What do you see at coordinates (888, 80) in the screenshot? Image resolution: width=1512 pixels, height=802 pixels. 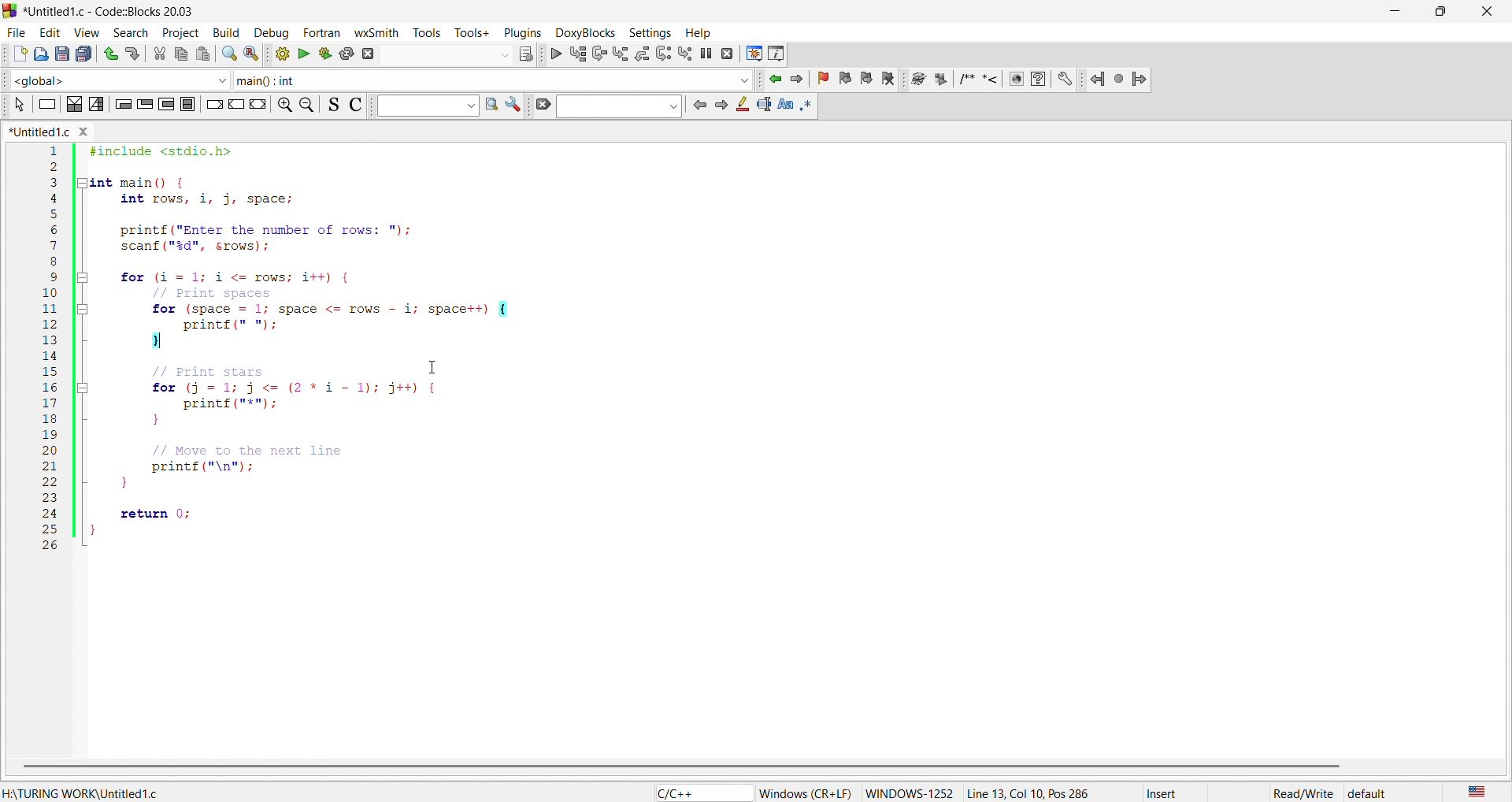 I see `Clear bookmark` at bounding box center [888, 80].